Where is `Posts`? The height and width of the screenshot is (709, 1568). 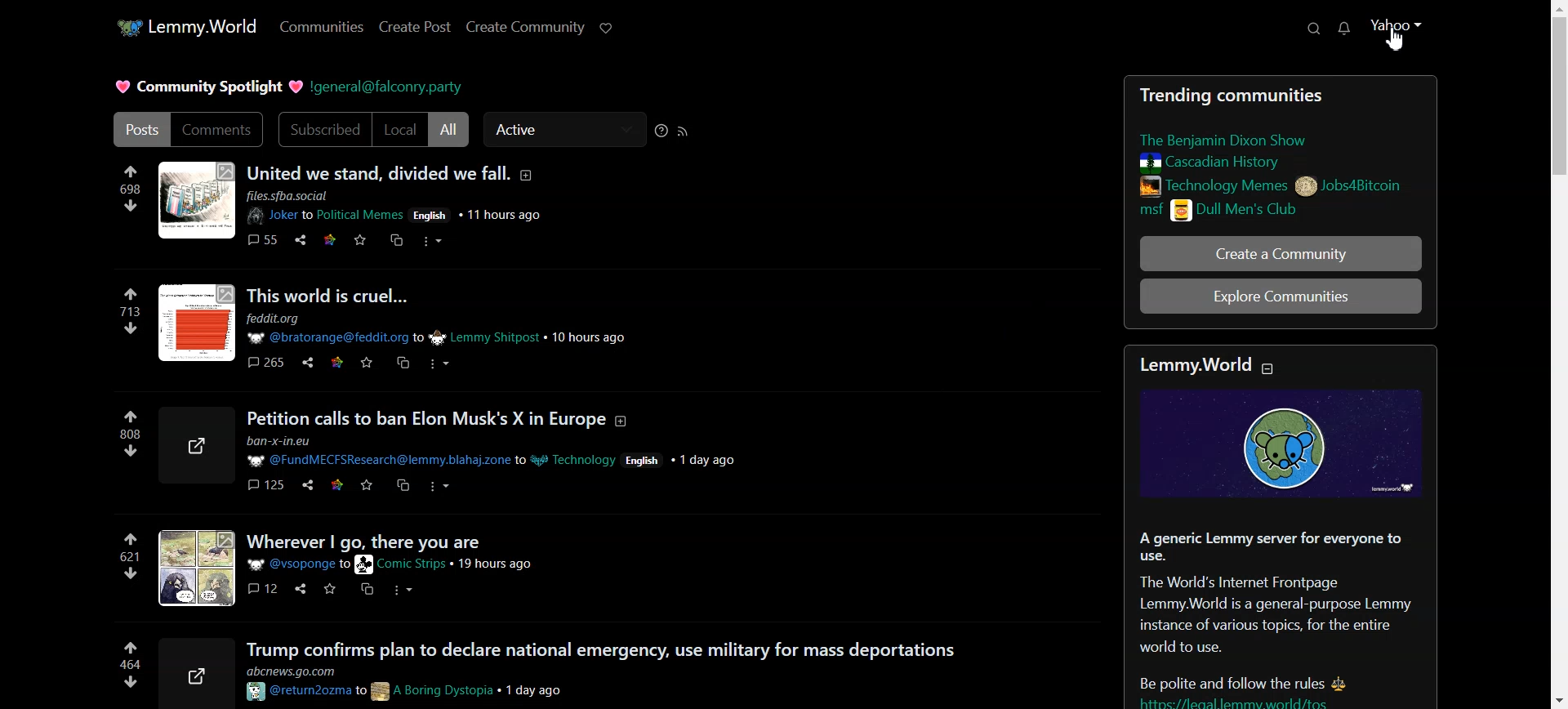 Posts is located at coordinates (1280, 150).